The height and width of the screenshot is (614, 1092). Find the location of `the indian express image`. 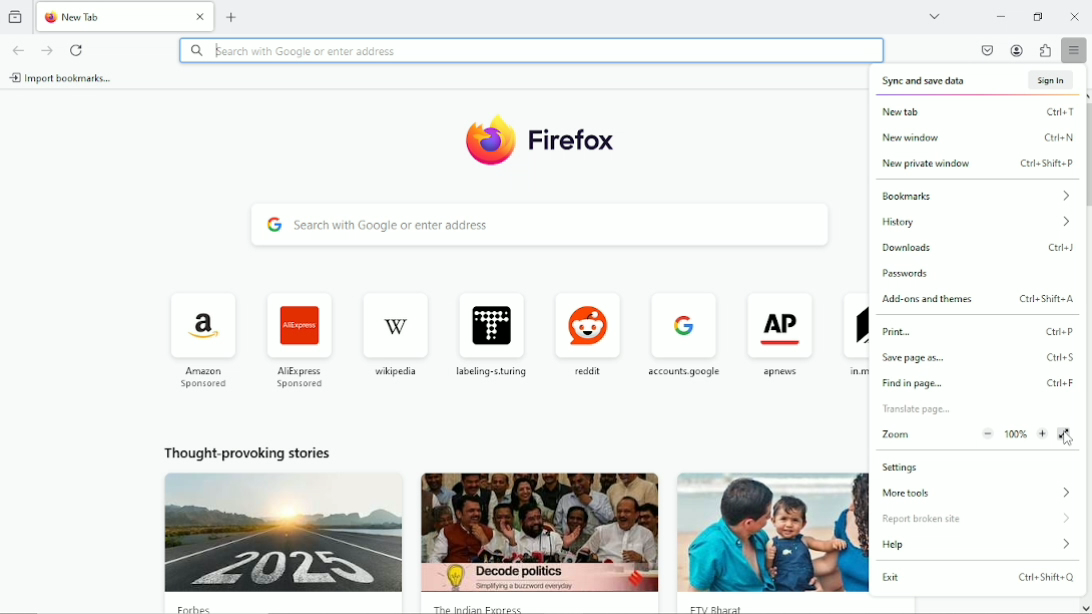

the indian express image is located at coordinates (541, 530).